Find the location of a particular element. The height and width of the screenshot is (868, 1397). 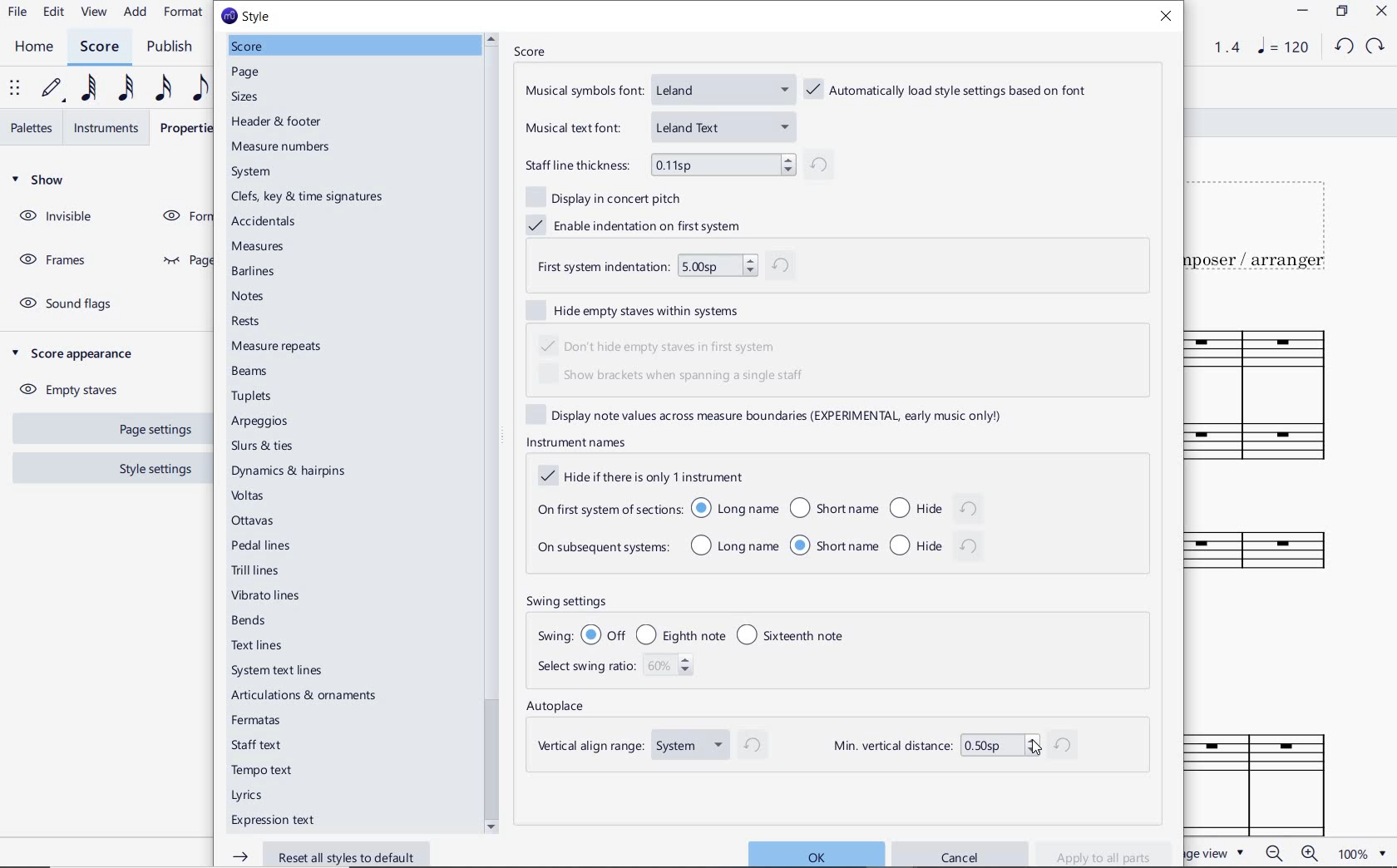

32ND NOTE is located at coordinates (129, 88).